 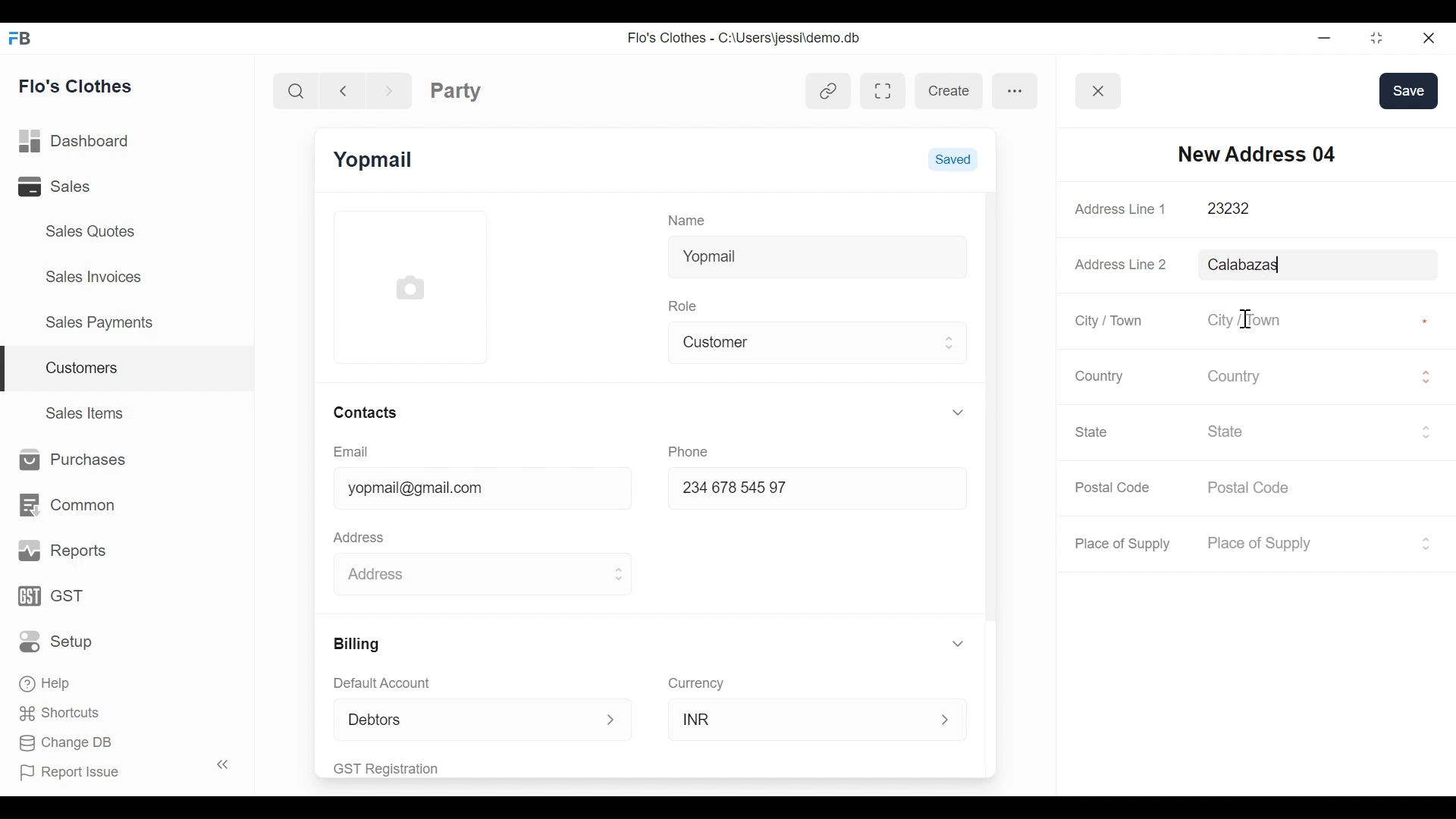 I want to click on Expand, so click(x=961, y=644).